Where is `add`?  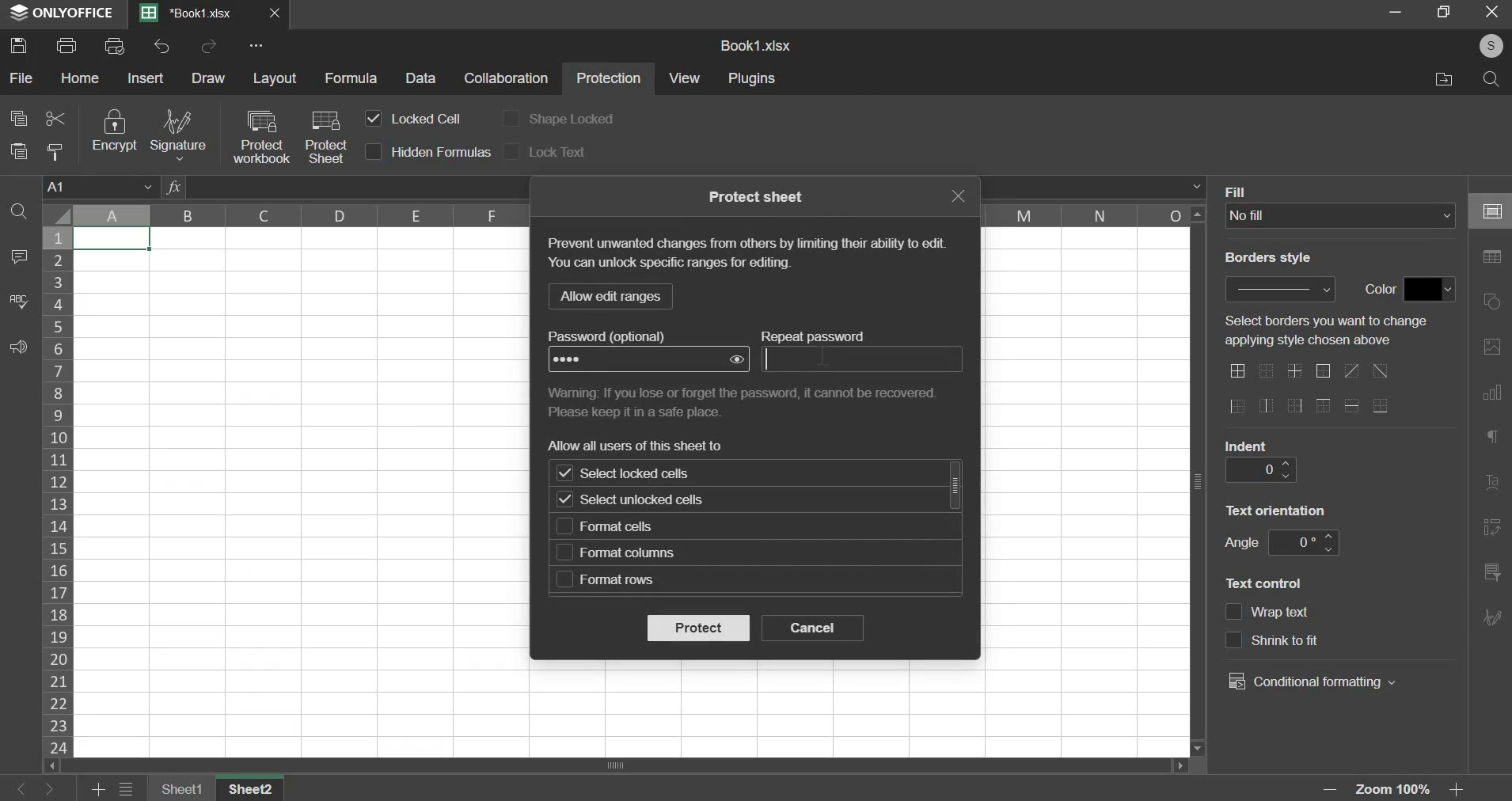
add is located at coordinates (100, 790).